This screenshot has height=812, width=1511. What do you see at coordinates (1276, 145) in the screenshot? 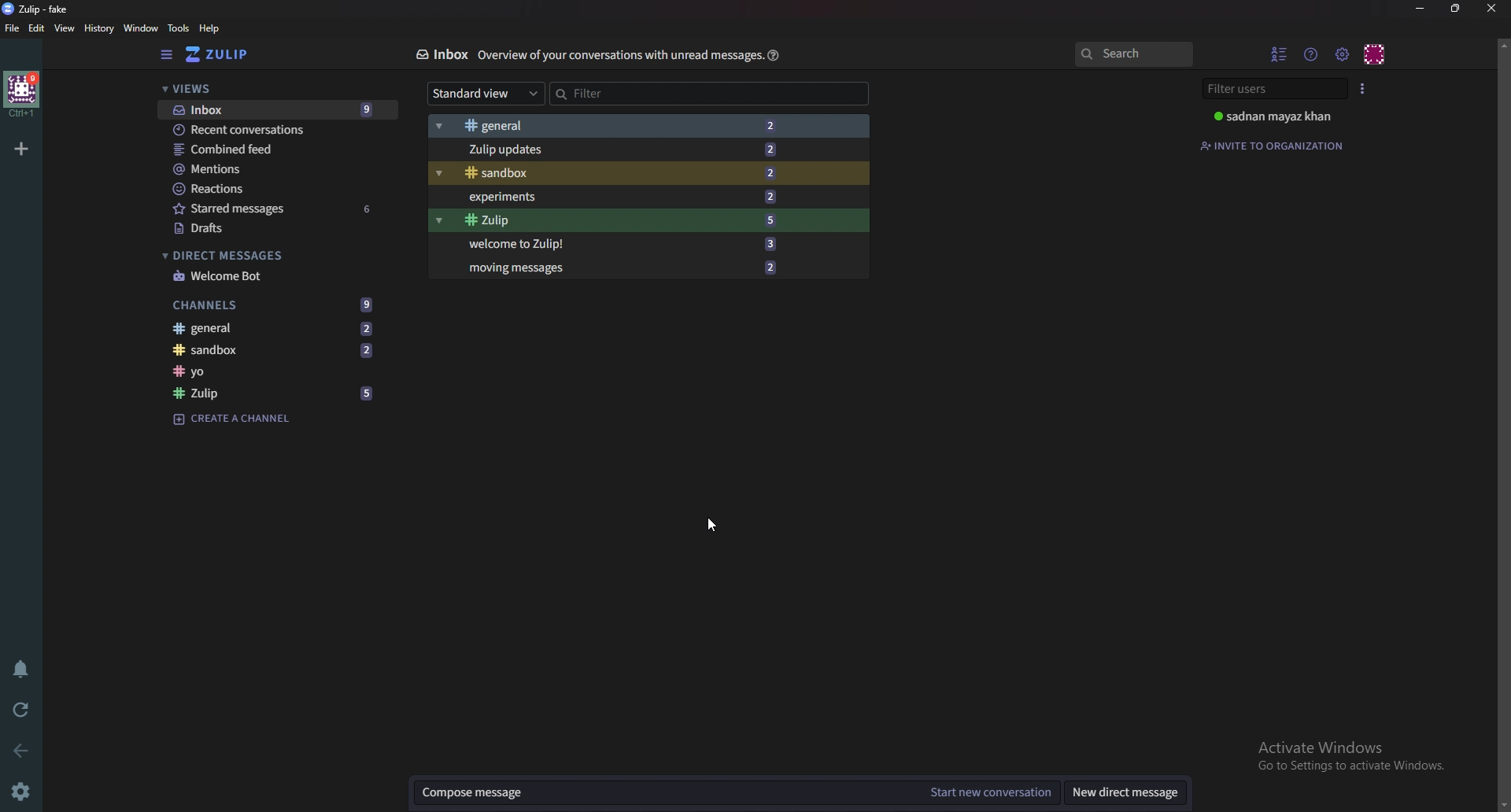
I see `Invite to organization` at bounding box center [1276, 145].